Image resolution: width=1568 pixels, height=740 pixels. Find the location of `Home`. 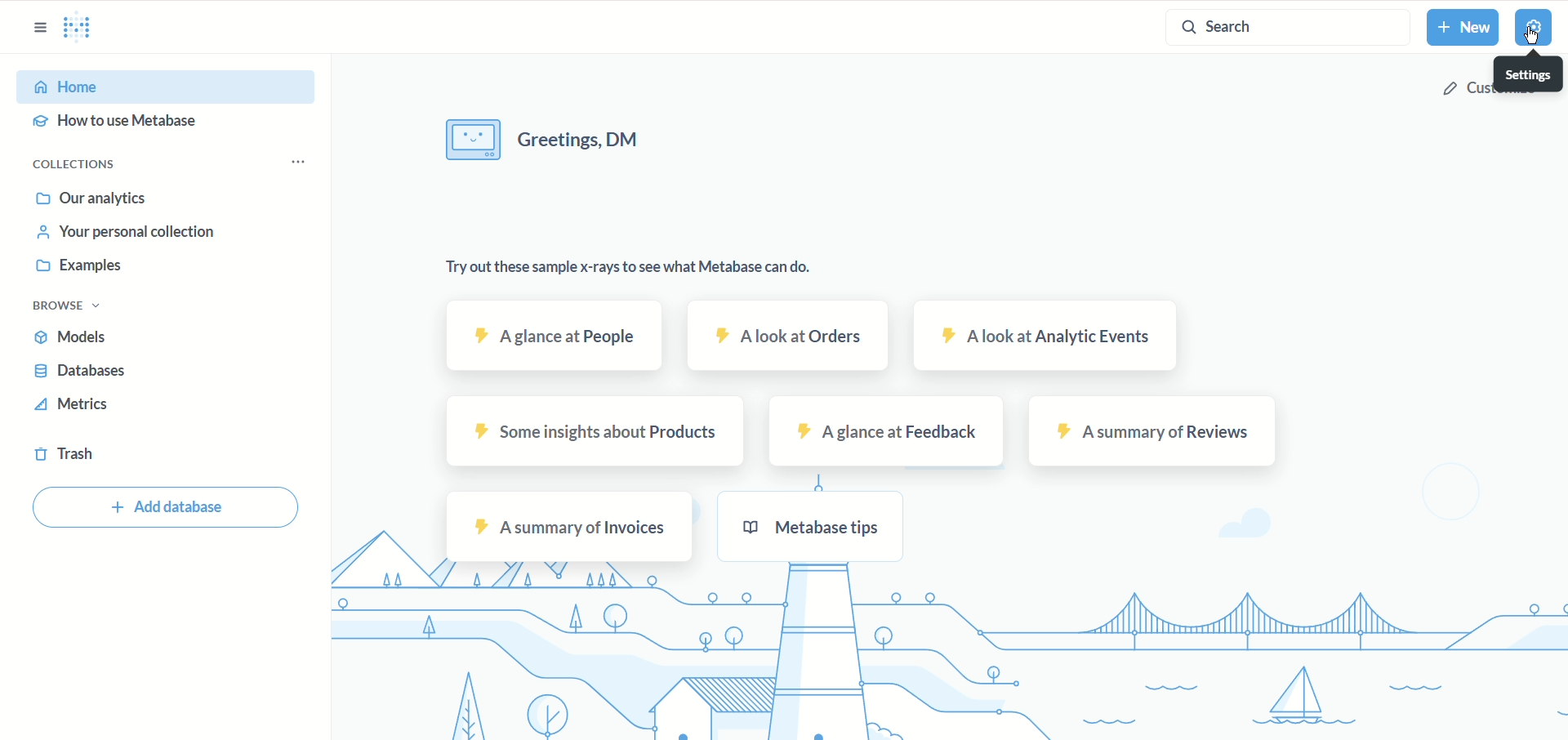

Home is located at coordinates (158, 87).